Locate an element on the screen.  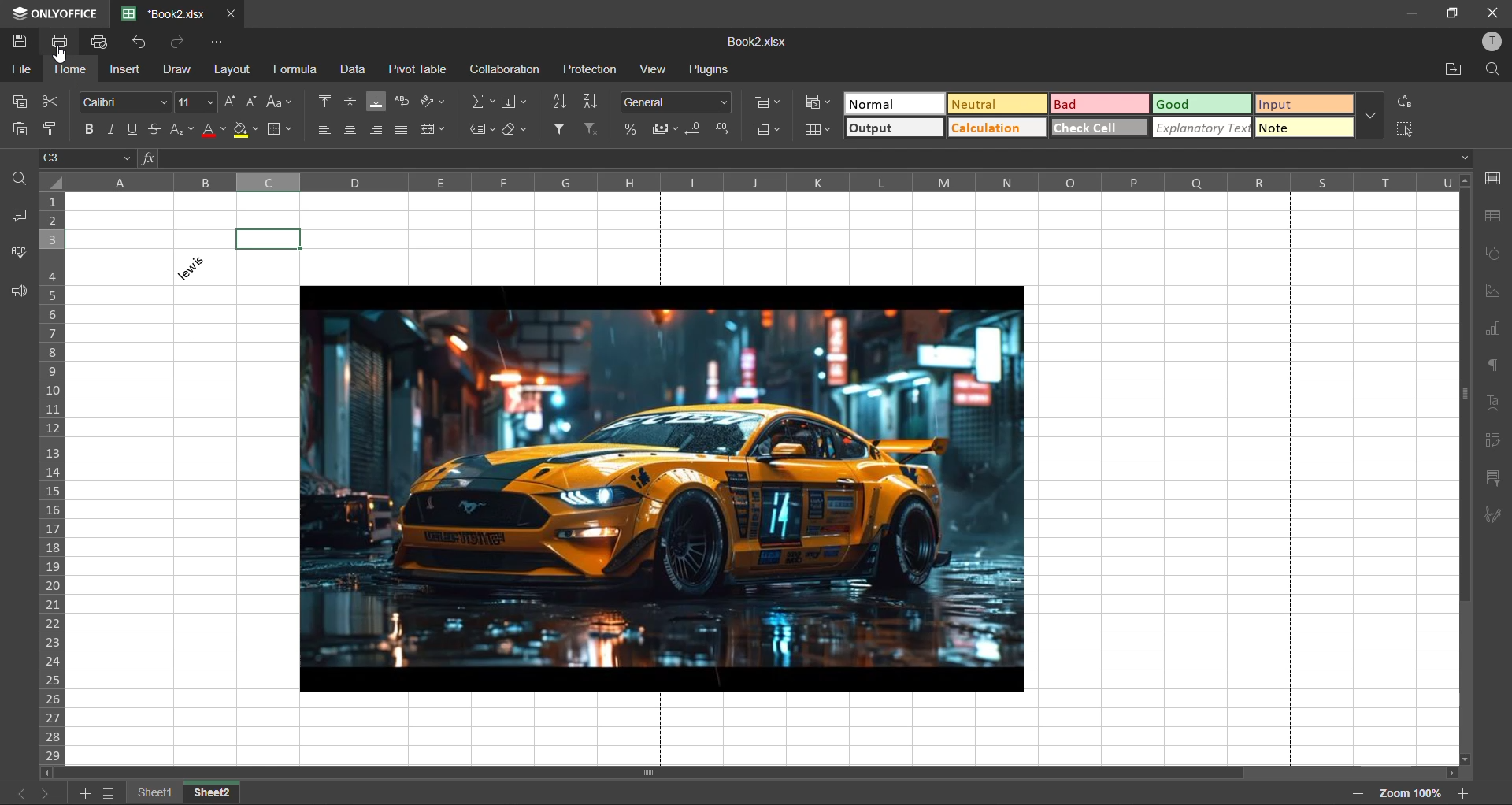
justified is located at coordinates (404, 129).